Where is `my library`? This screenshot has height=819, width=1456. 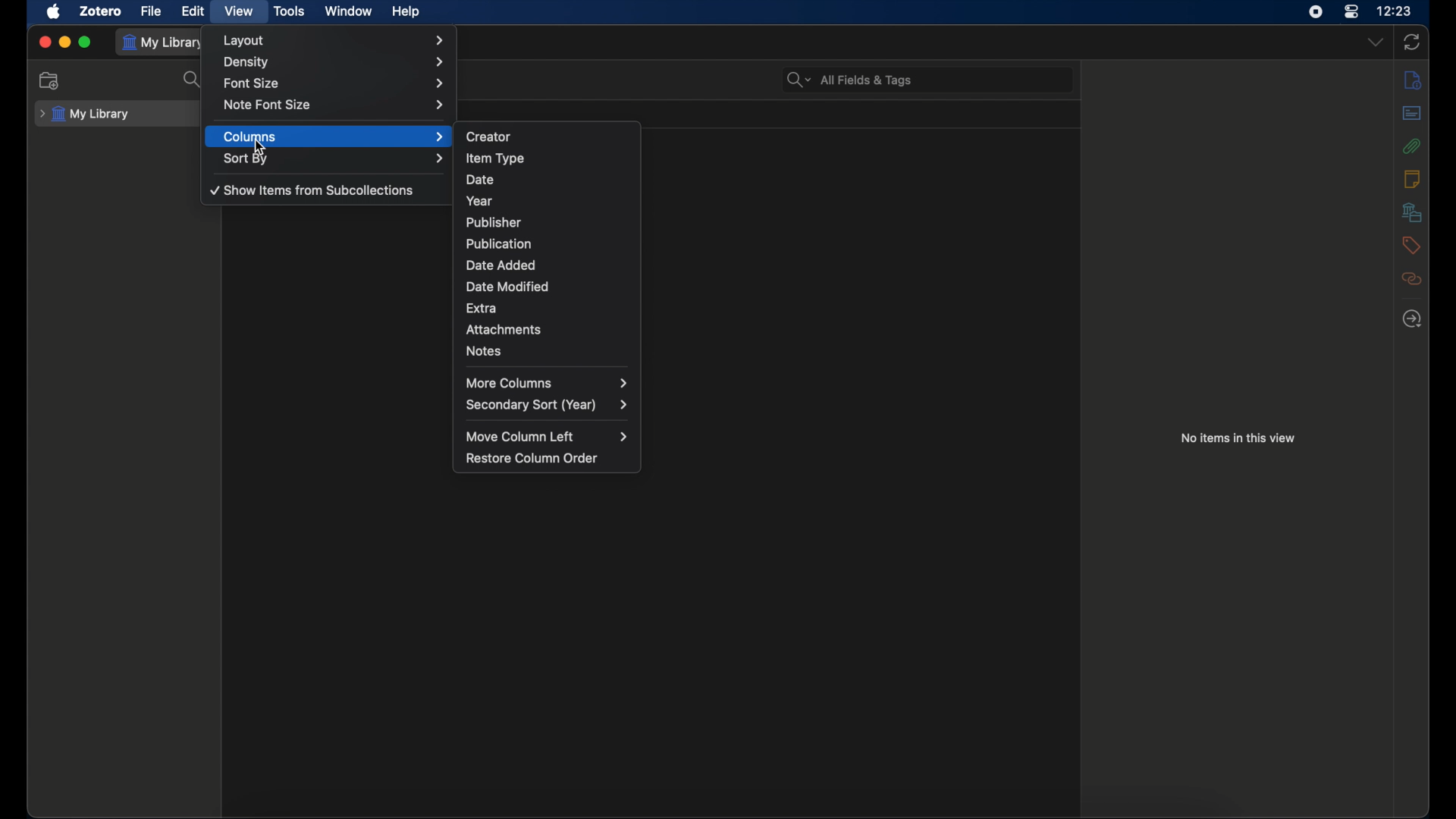
my library is located at coordinates (85, 115).